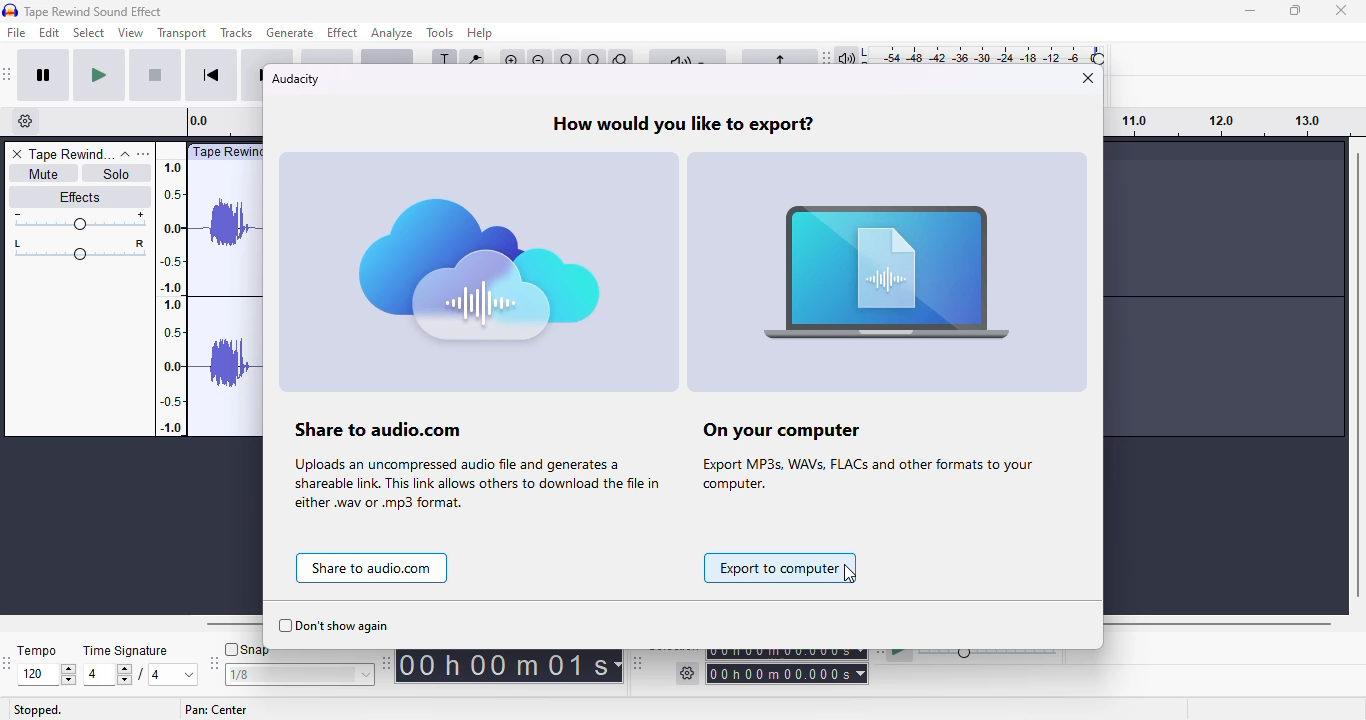 The height and width of the screenshot is (720, 1366). I want to click on tools, so click(441, 32).